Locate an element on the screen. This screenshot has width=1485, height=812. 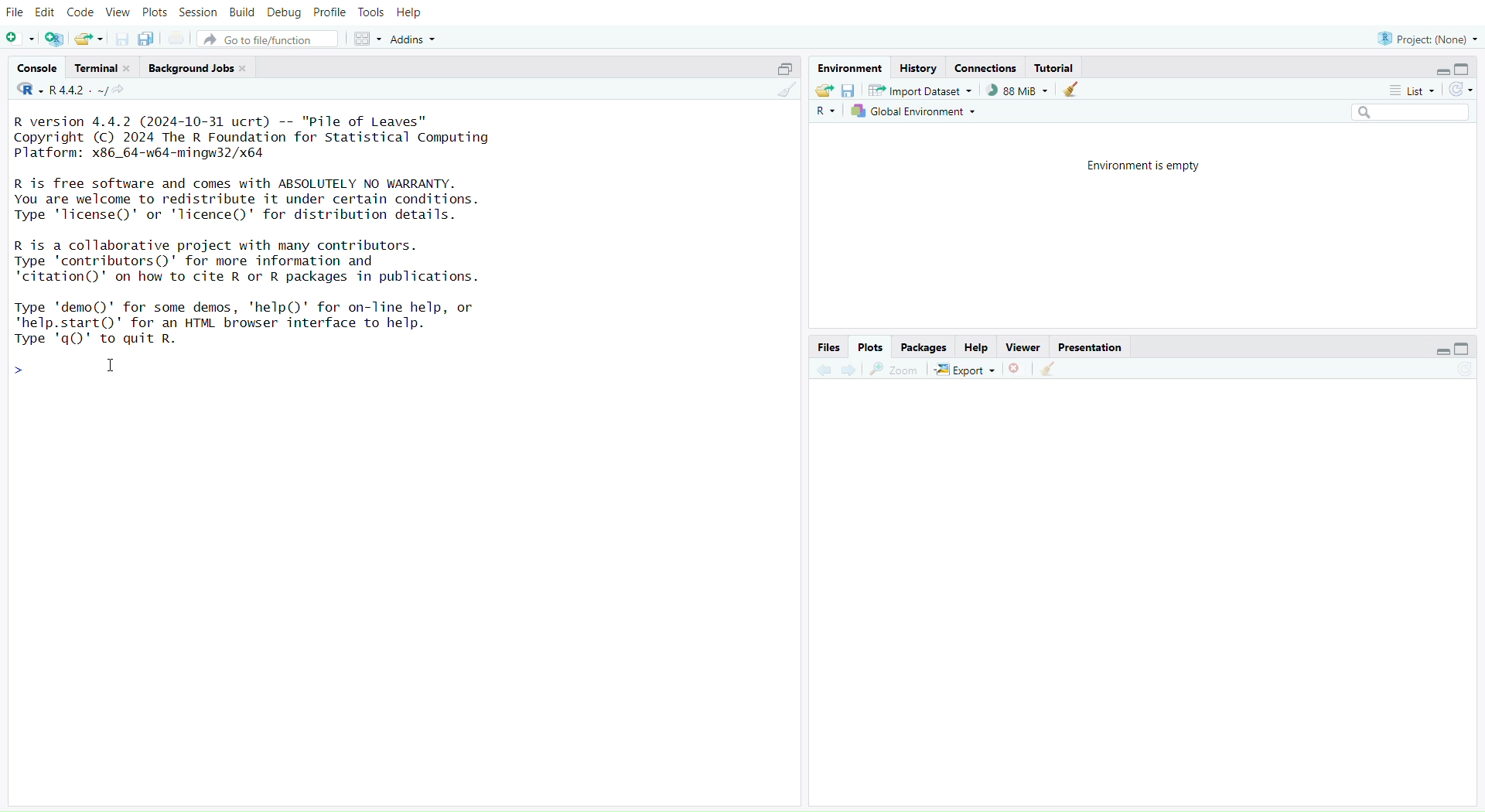
help is located at coordinates (411, 12).